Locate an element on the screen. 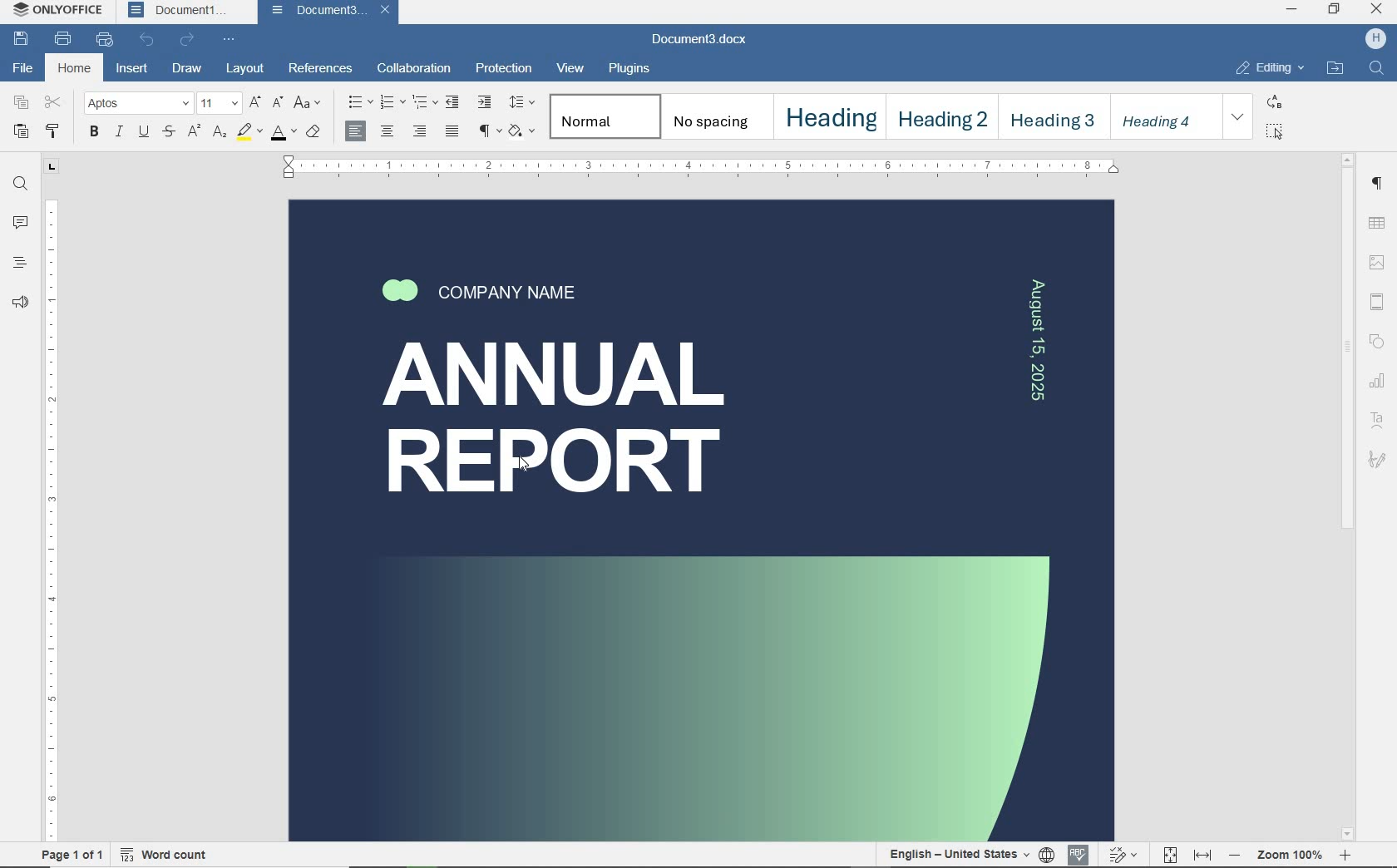  print is located at coordinates (64, 39).